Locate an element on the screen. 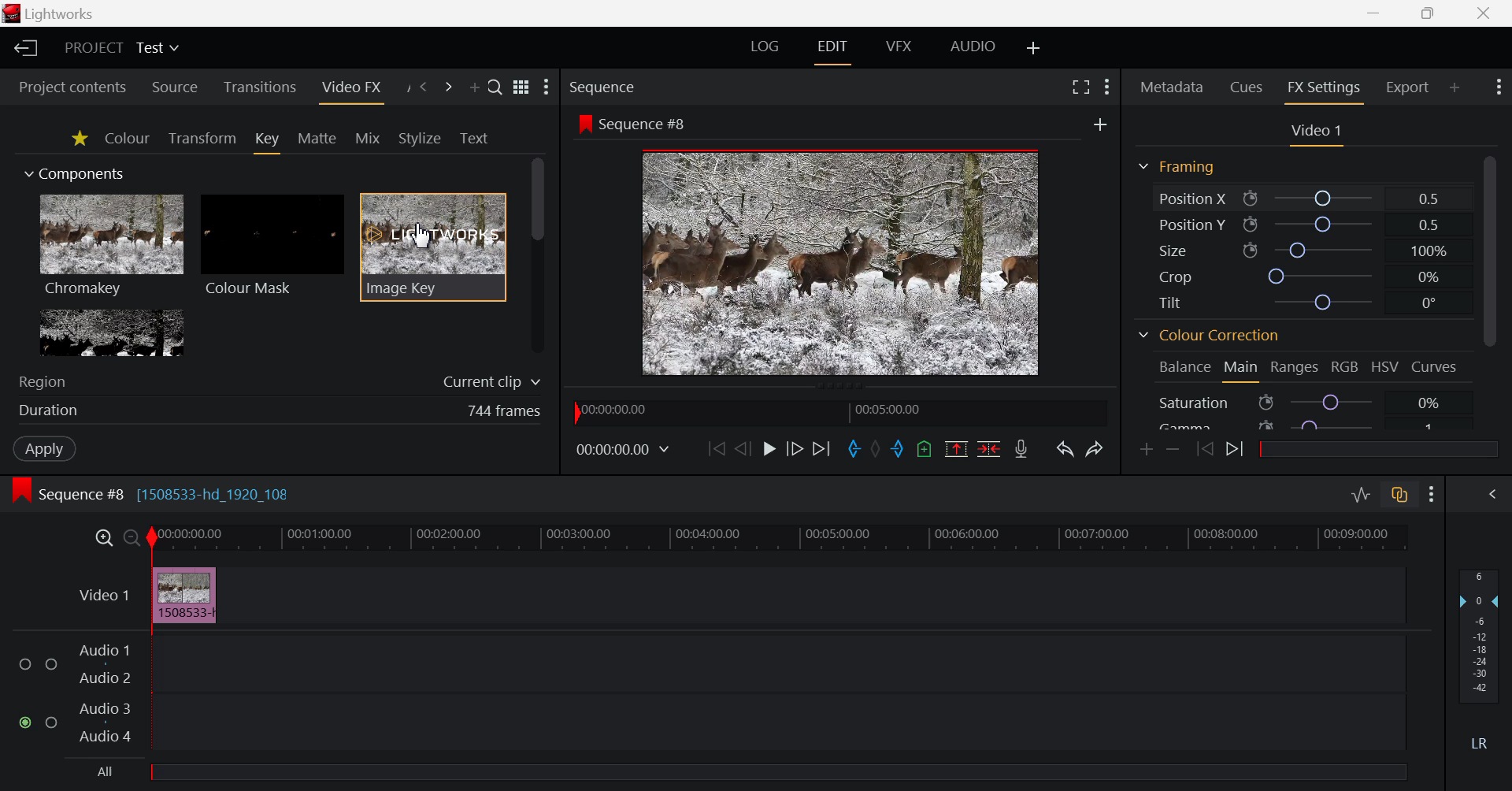  Position Y is located at coordinates (1325, 226).